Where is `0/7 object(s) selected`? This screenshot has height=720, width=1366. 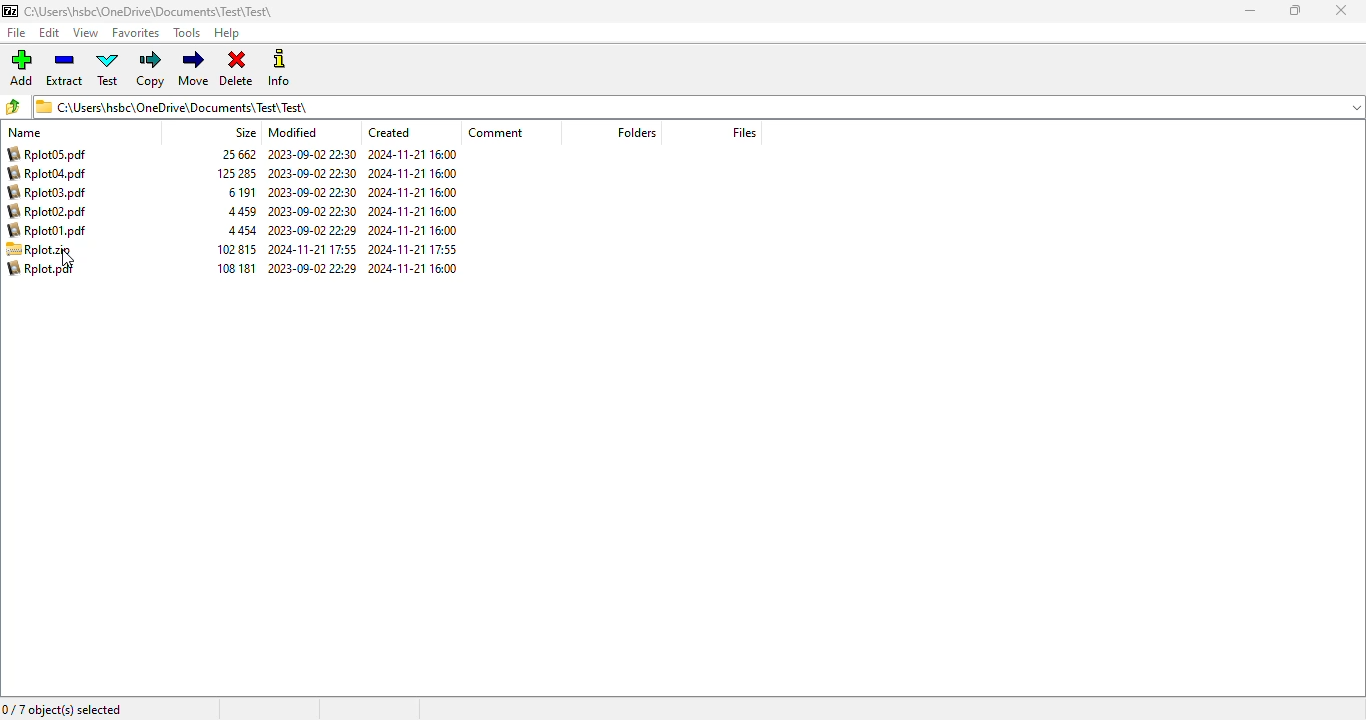
0/7 object(s) selected is located at coordinates (63, 709).